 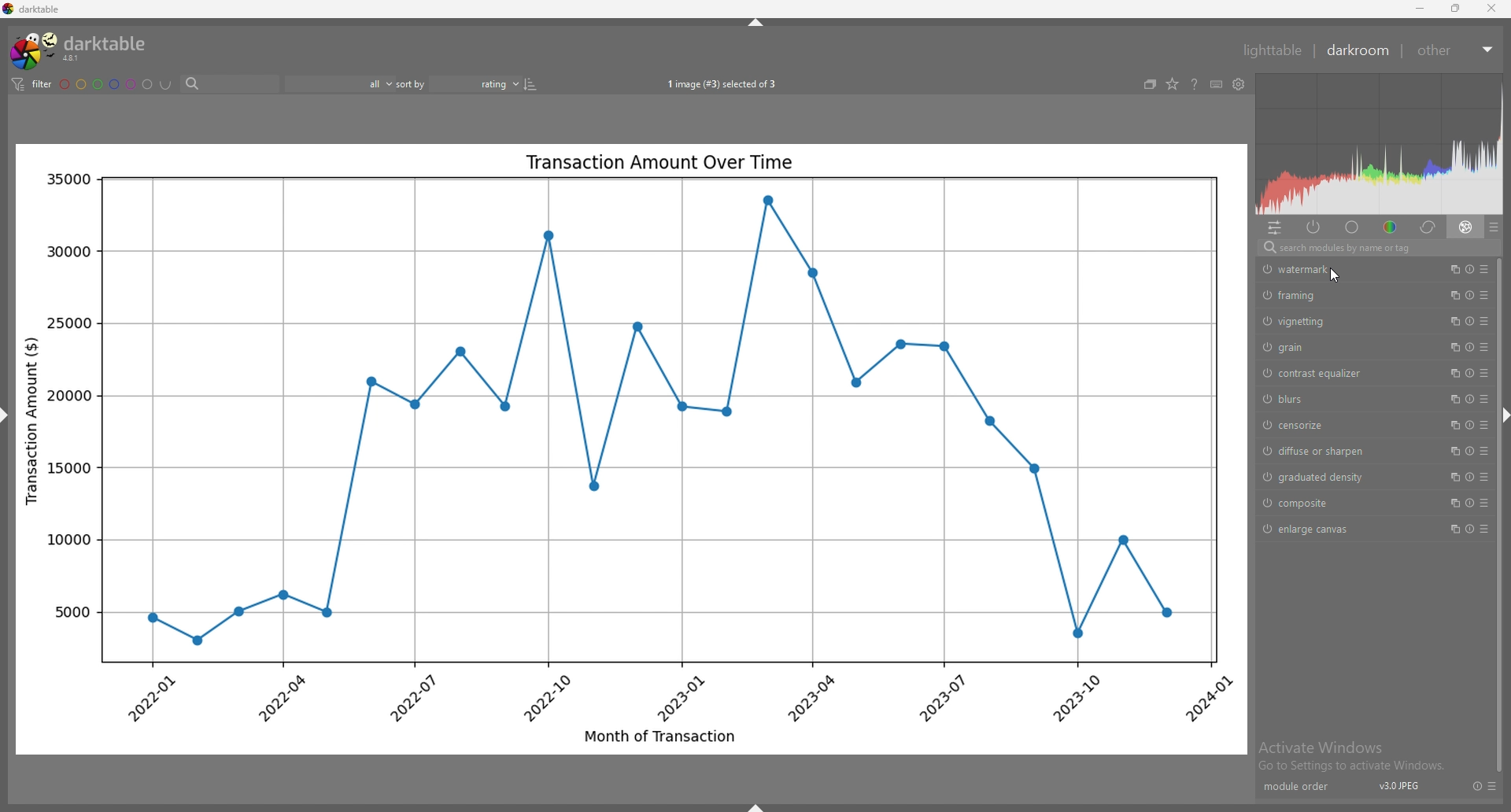 What do you see at coordinates (1315, 228) in the screenshot?
I see `active modules` at bounding box center [1315, 228].